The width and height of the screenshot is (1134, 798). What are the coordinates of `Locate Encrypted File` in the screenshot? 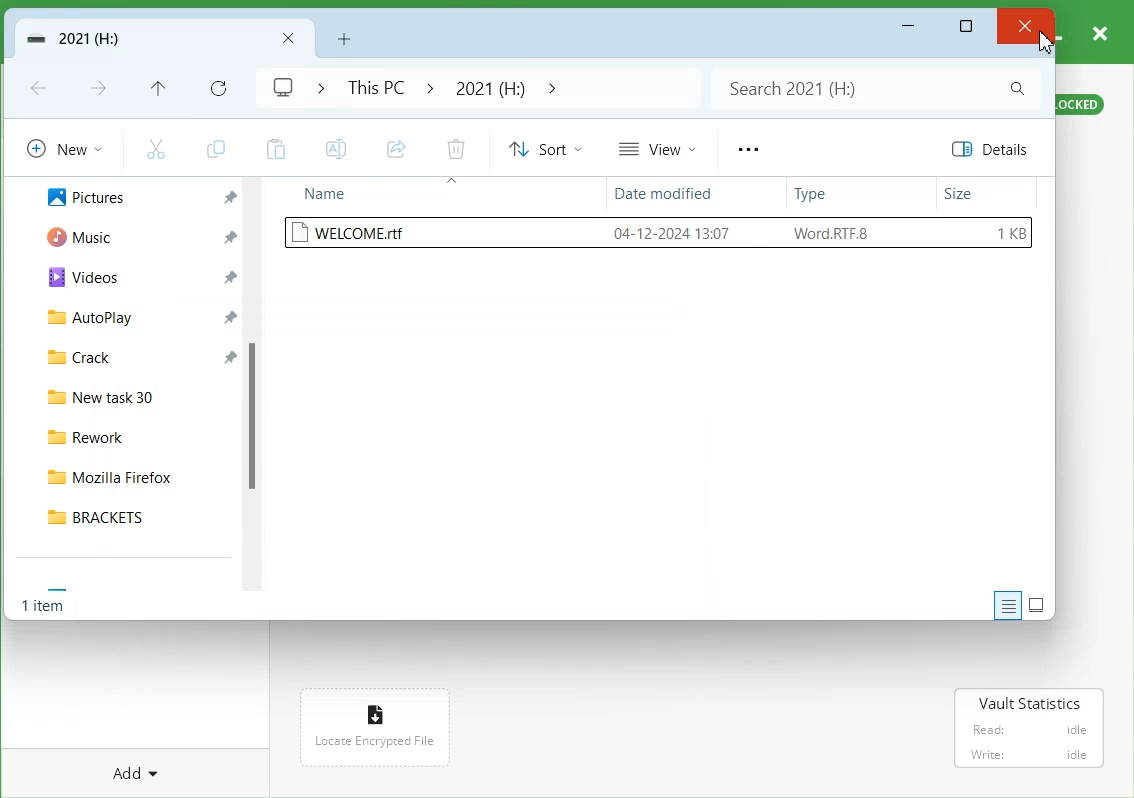 It's located at (372, 744).